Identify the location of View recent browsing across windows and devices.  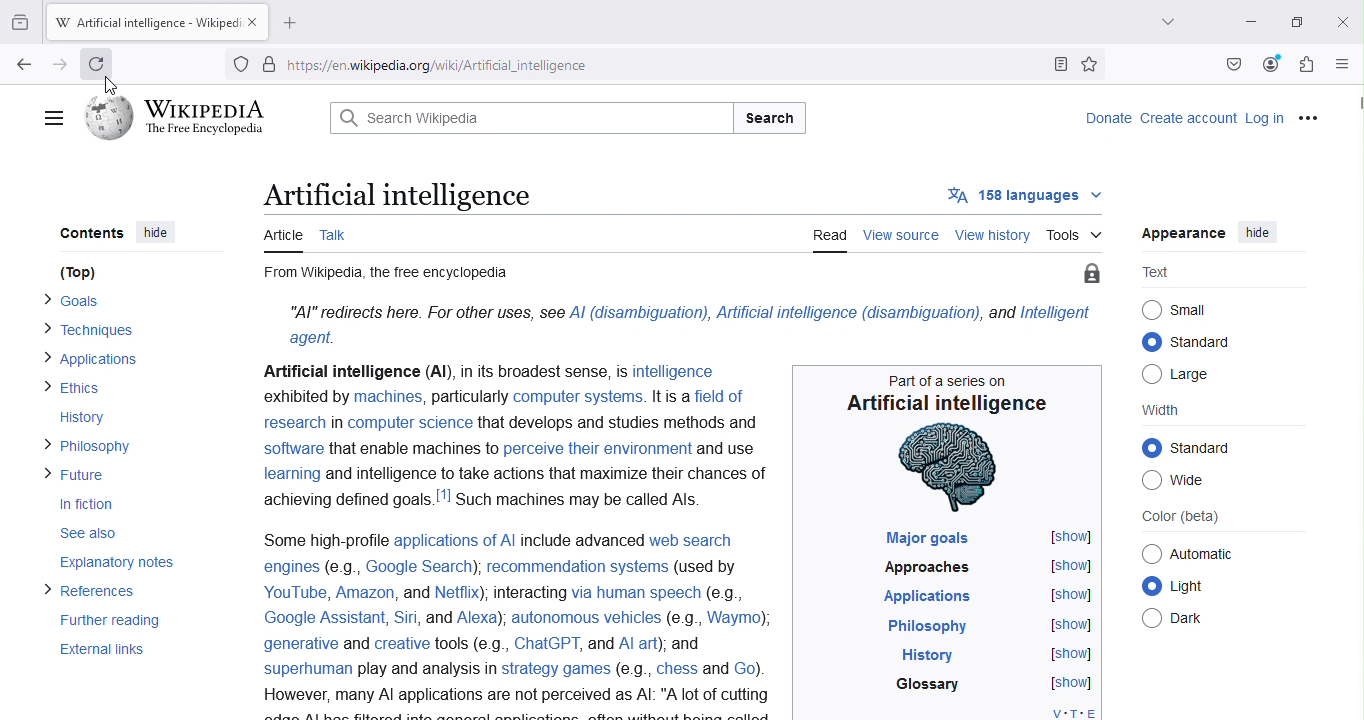
(21, 22).